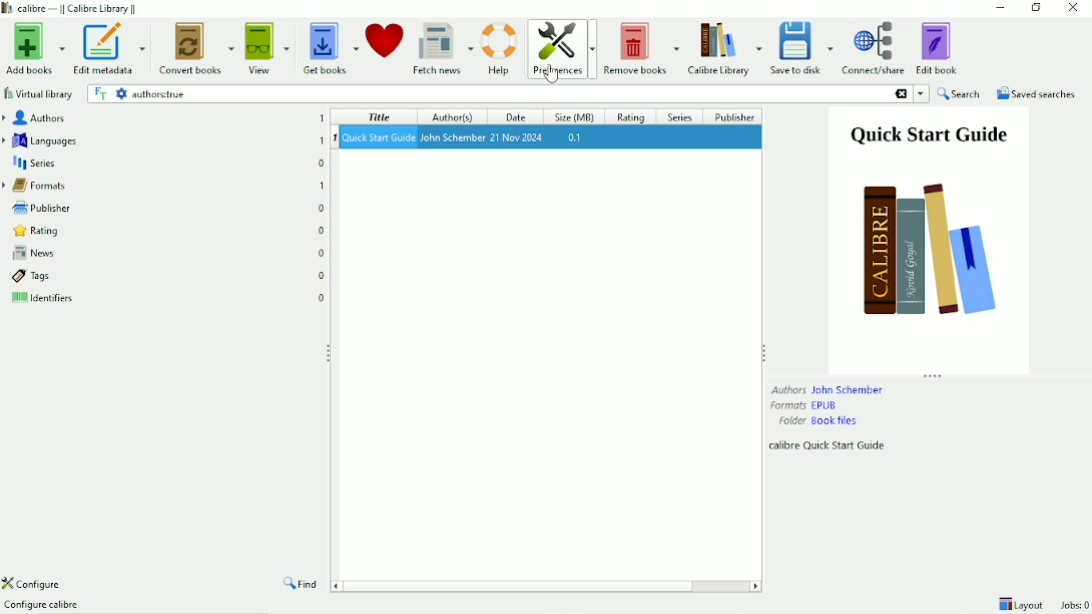 The width and height of the screenshot is (1092, 614). Describe the element at coordinates (827, 446) in the screenshot. I see `calibre Quick Start Guide` at that location.